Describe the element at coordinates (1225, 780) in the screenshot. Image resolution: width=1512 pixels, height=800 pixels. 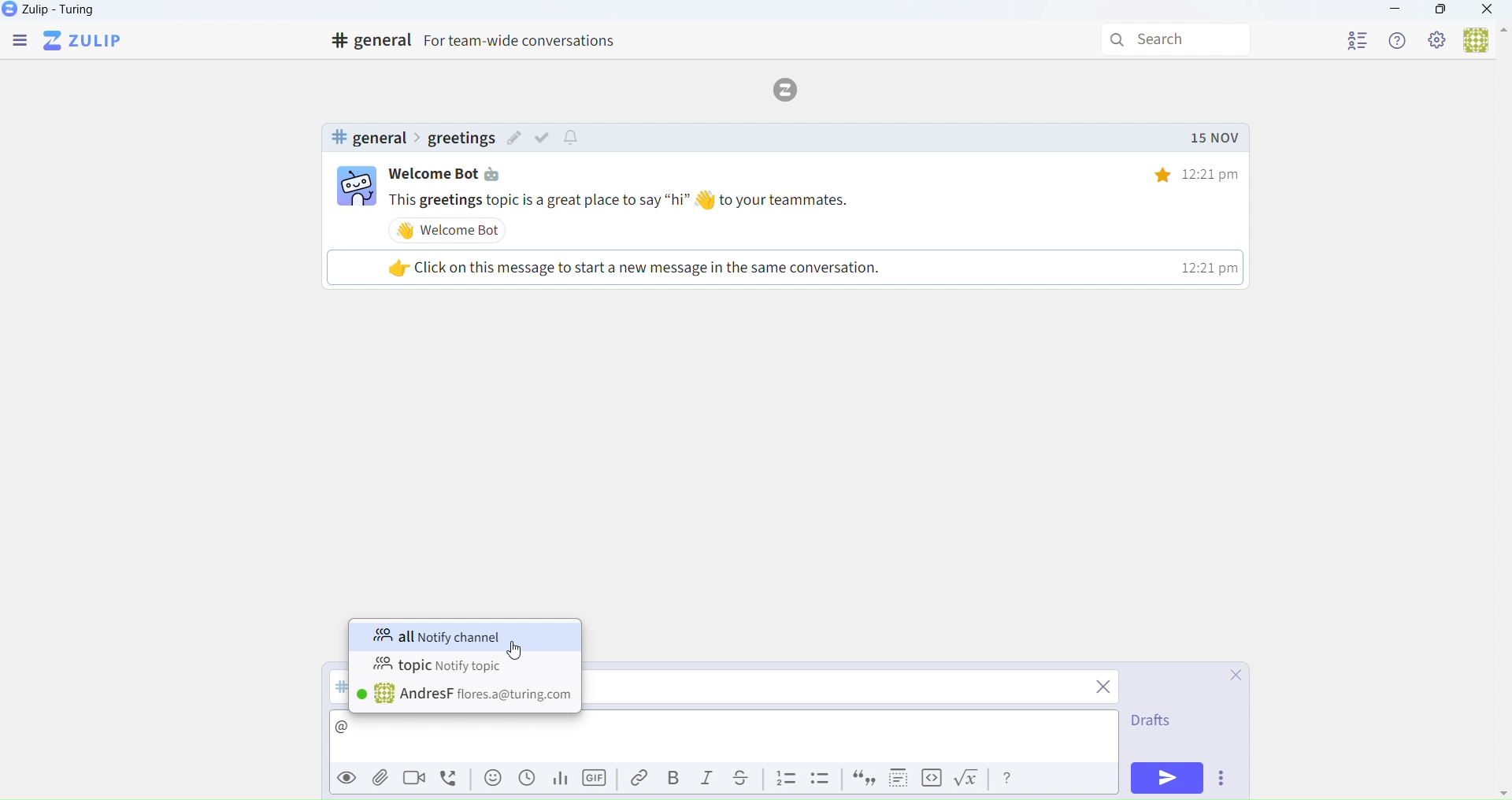
I see `Options` at that location.